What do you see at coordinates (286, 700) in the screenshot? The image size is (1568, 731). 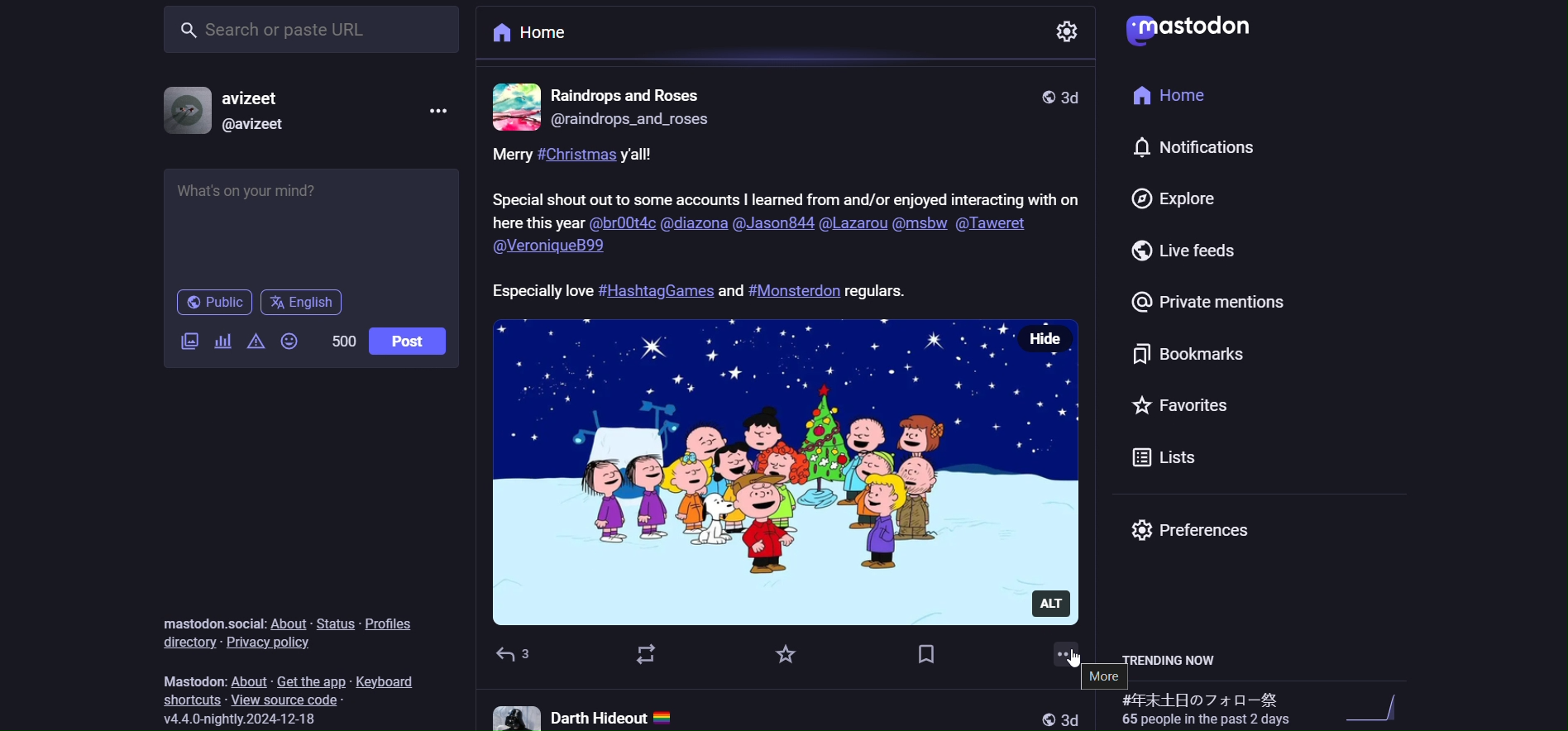 I see `source code` at bounding box center [286, 700].